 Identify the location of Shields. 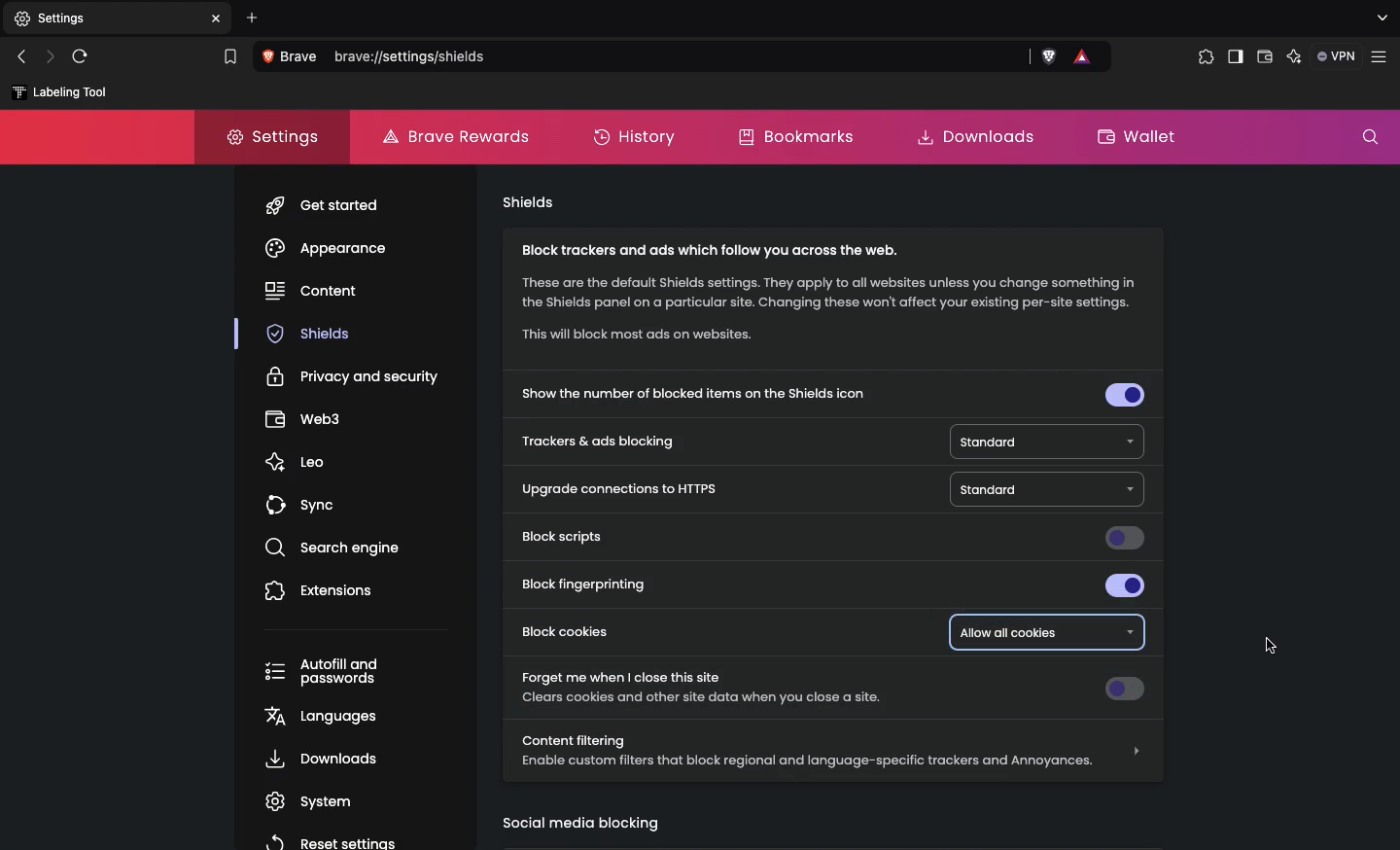
(528, 203).